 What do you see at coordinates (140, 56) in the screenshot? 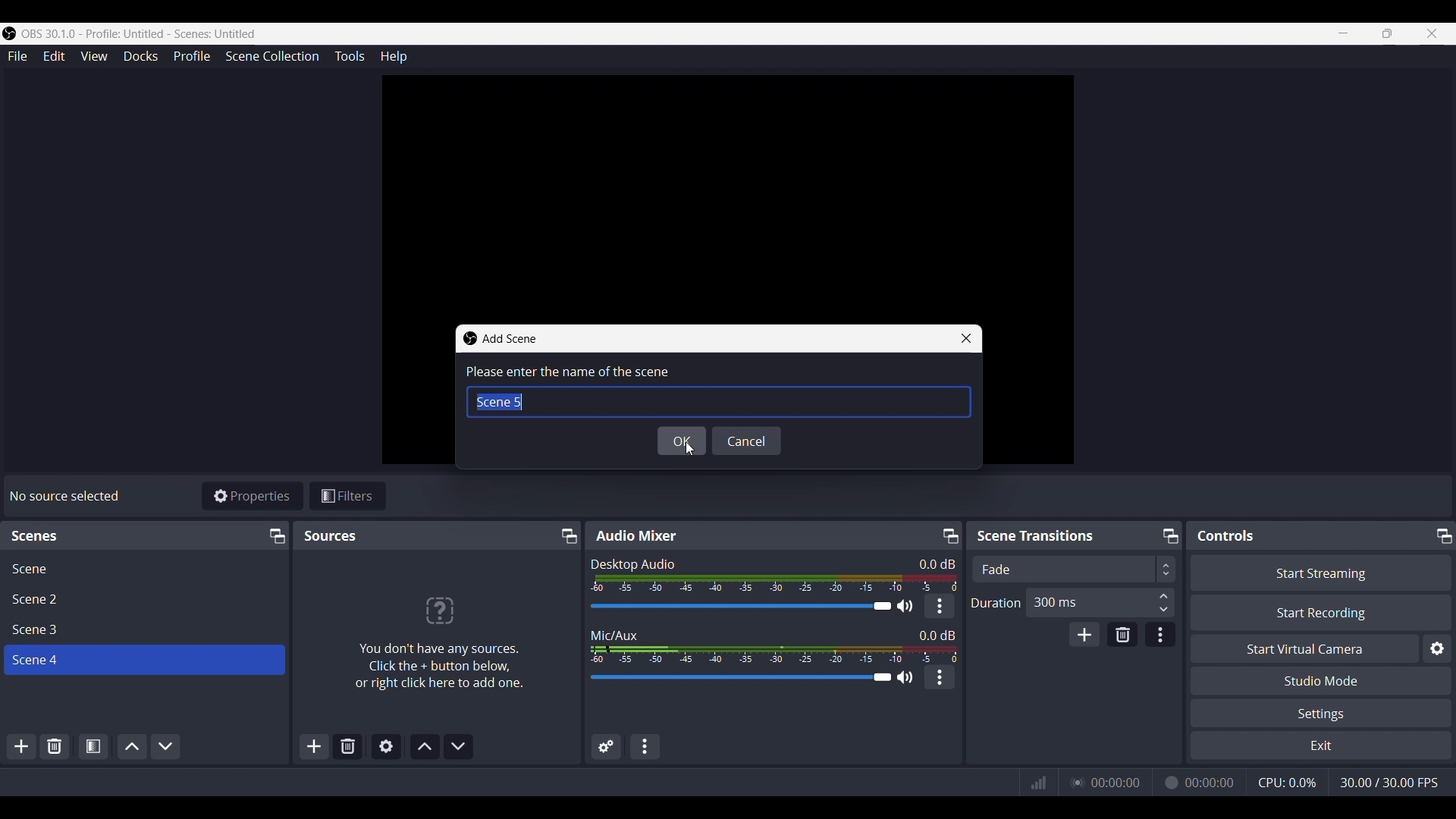
I see `Docks` at bounding box center [140, 56].